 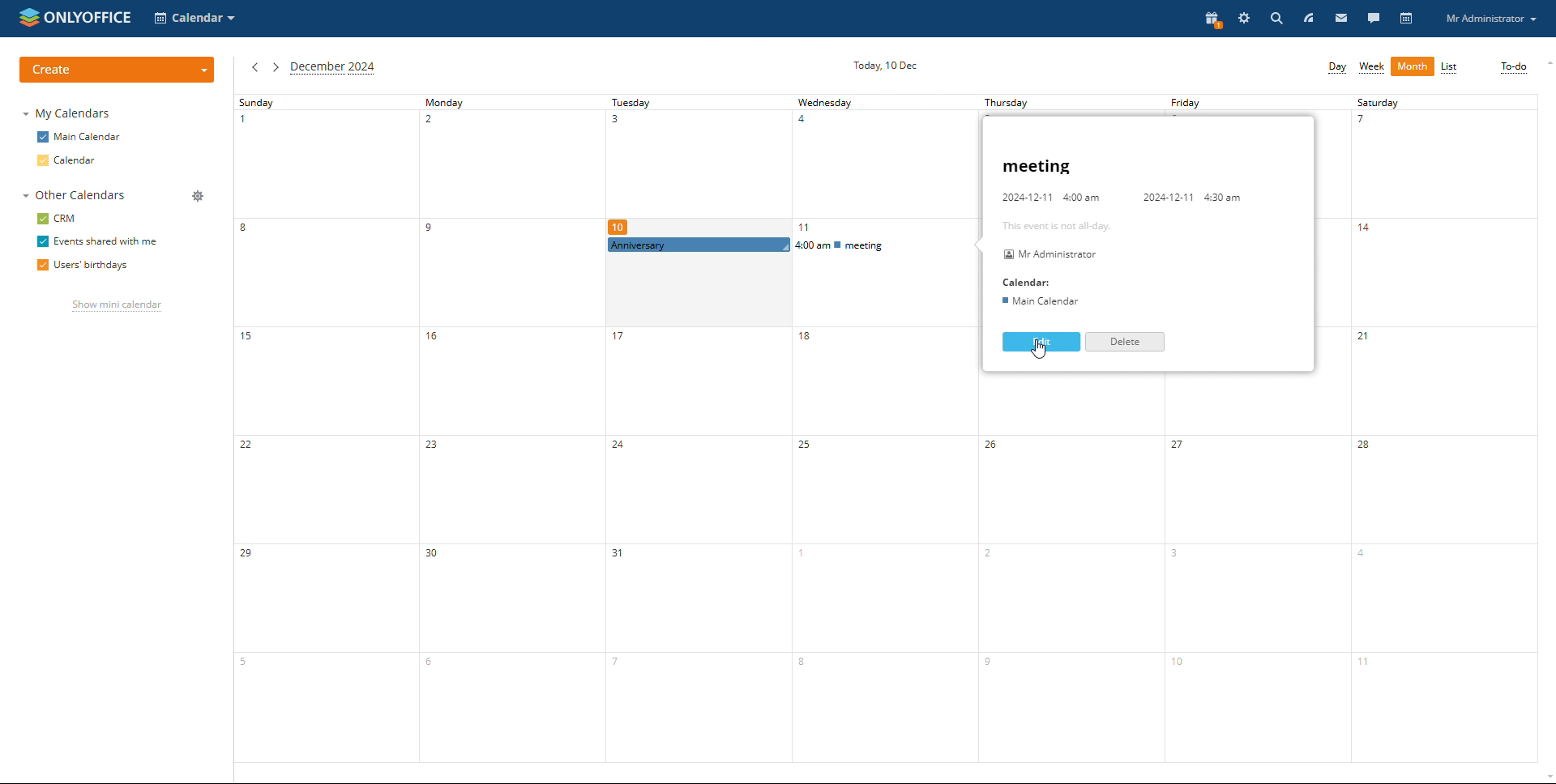 What do you see at coordinates (58, 218) in the screenshot?
I see `crm` at bounding box center [58, 218].